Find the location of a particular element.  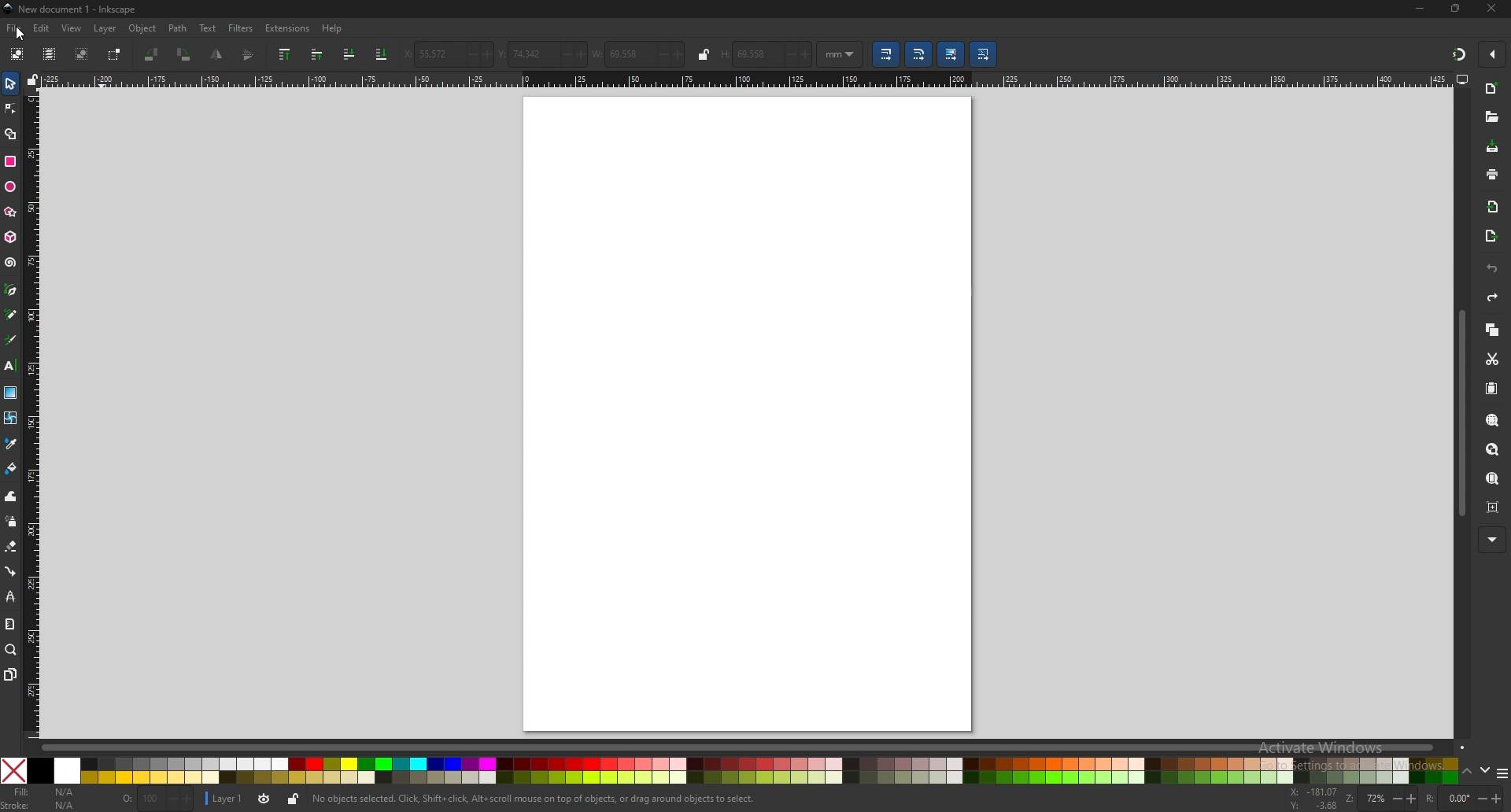

rotate 90 ccw is located at coordinates (153, 54).